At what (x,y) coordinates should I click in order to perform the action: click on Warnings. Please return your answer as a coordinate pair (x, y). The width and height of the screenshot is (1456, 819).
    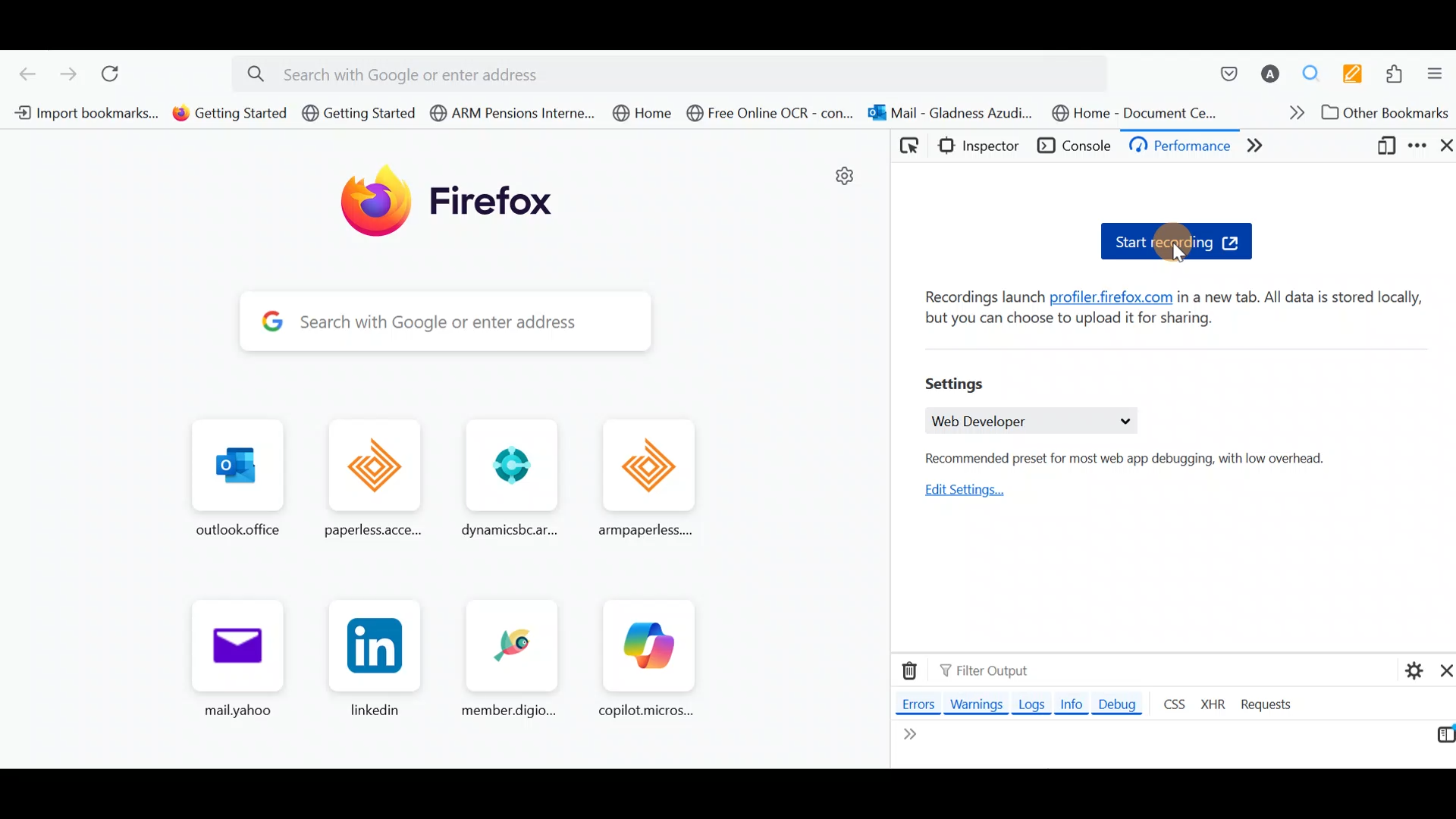
    Looking at the image, I should click on (979, 706).